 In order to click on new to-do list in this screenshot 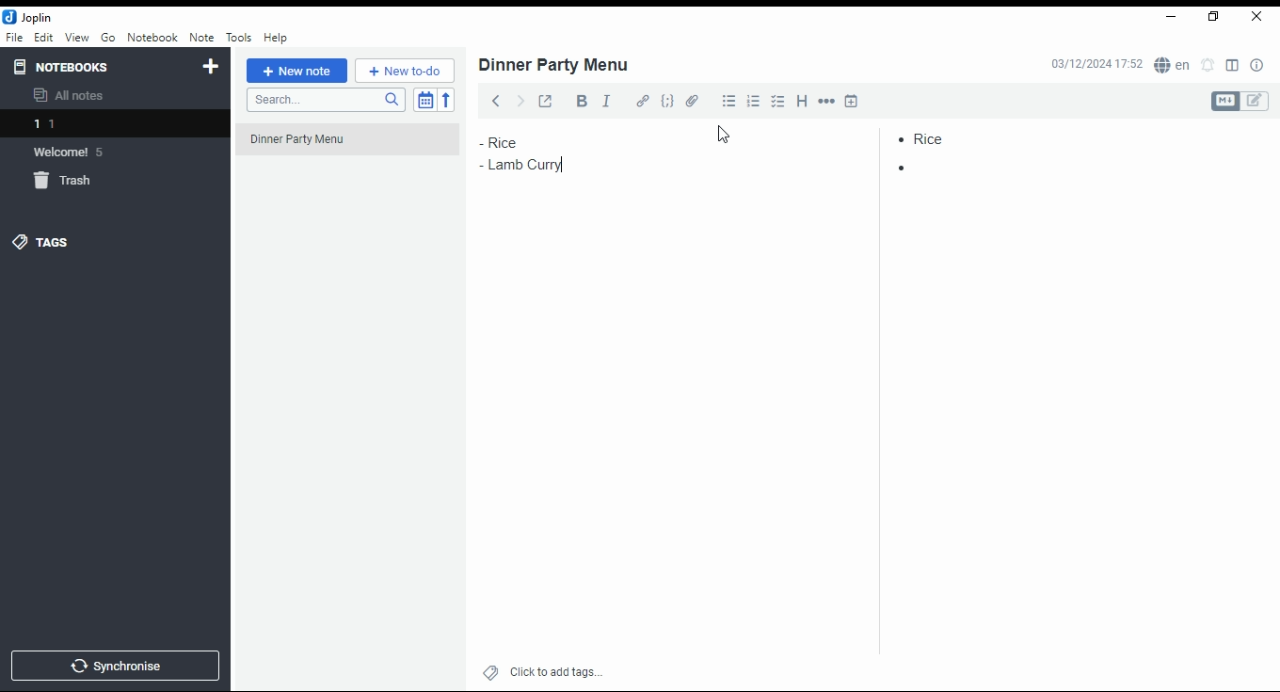, I will do `click(405, 71)`.